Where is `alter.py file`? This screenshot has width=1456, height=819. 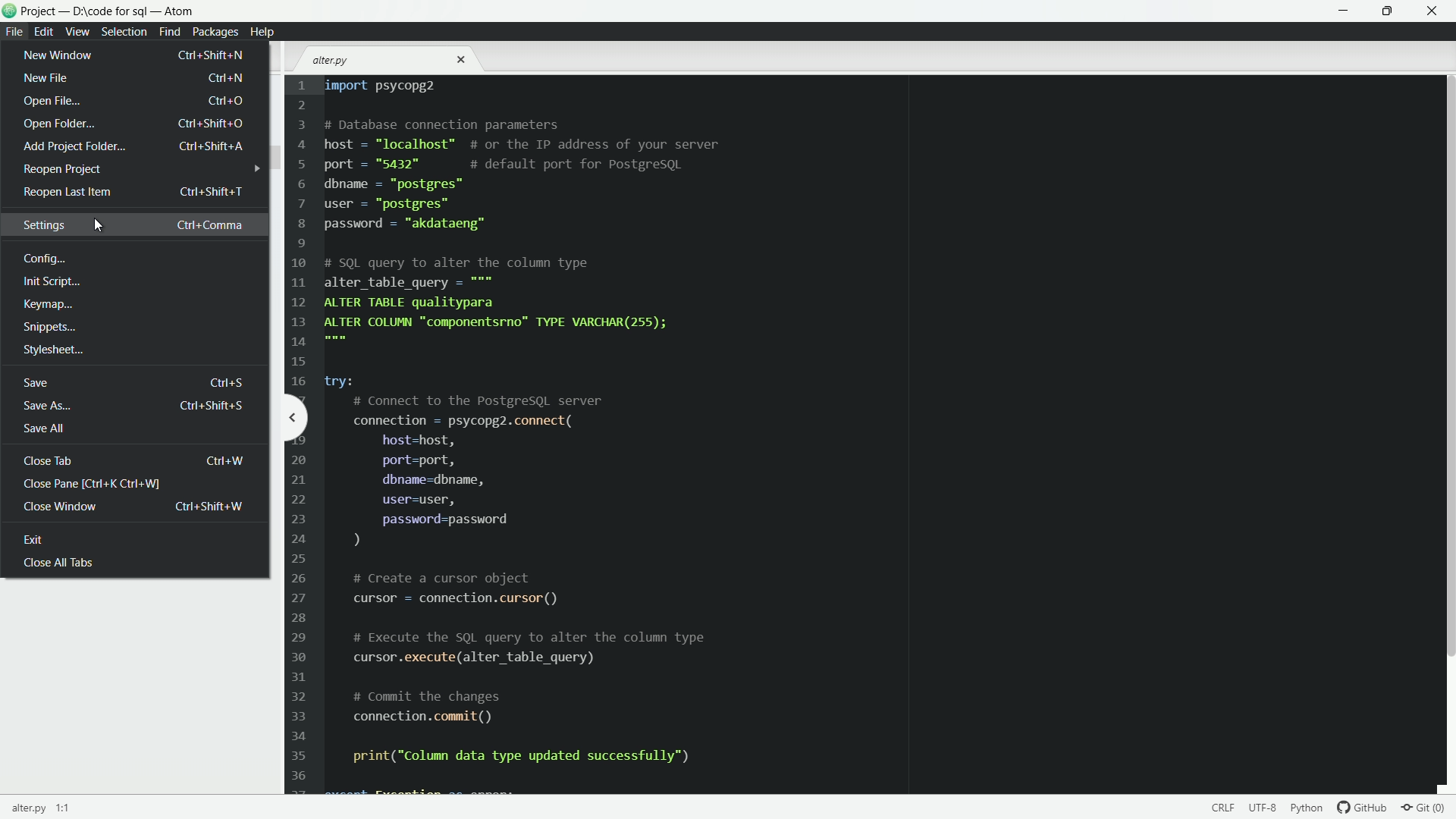 alter.py file is located at coordinates (331, 61).